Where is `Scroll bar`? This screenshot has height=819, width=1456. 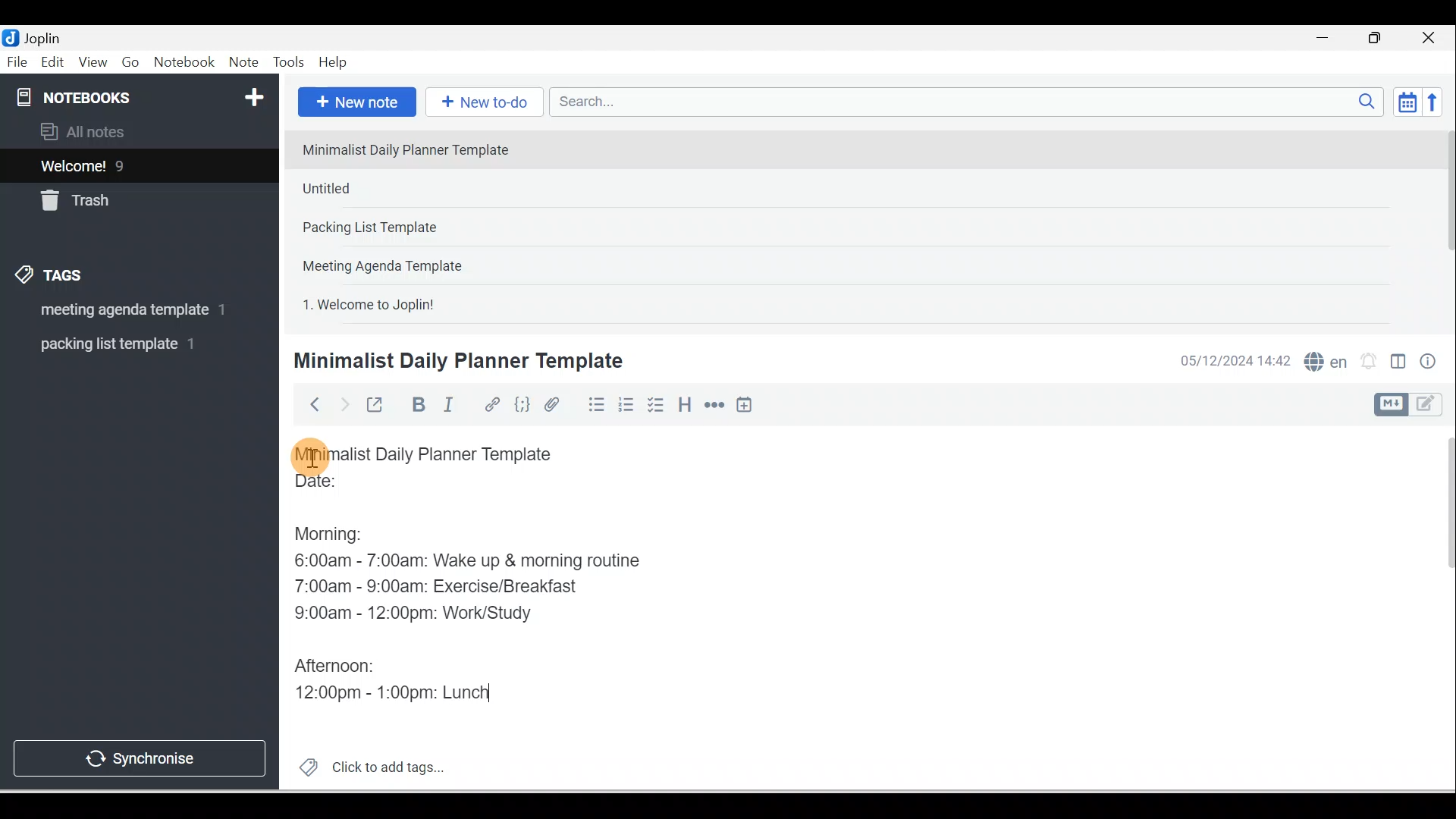
Scroll bar is located at coordinates (1439, 608).